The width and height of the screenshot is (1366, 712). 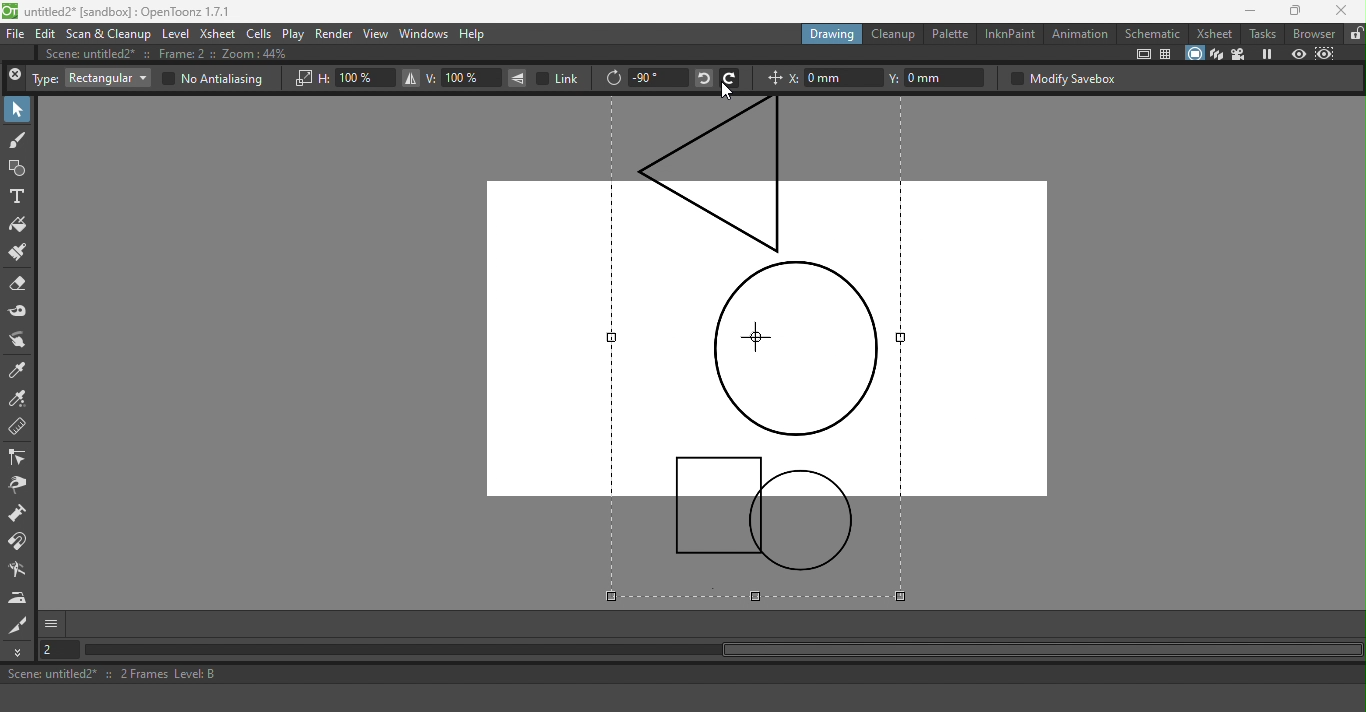 What do you see at coordinates (1268, 53) in the screenshot?
I see `Freeze` at bounding box center [1268, 53].